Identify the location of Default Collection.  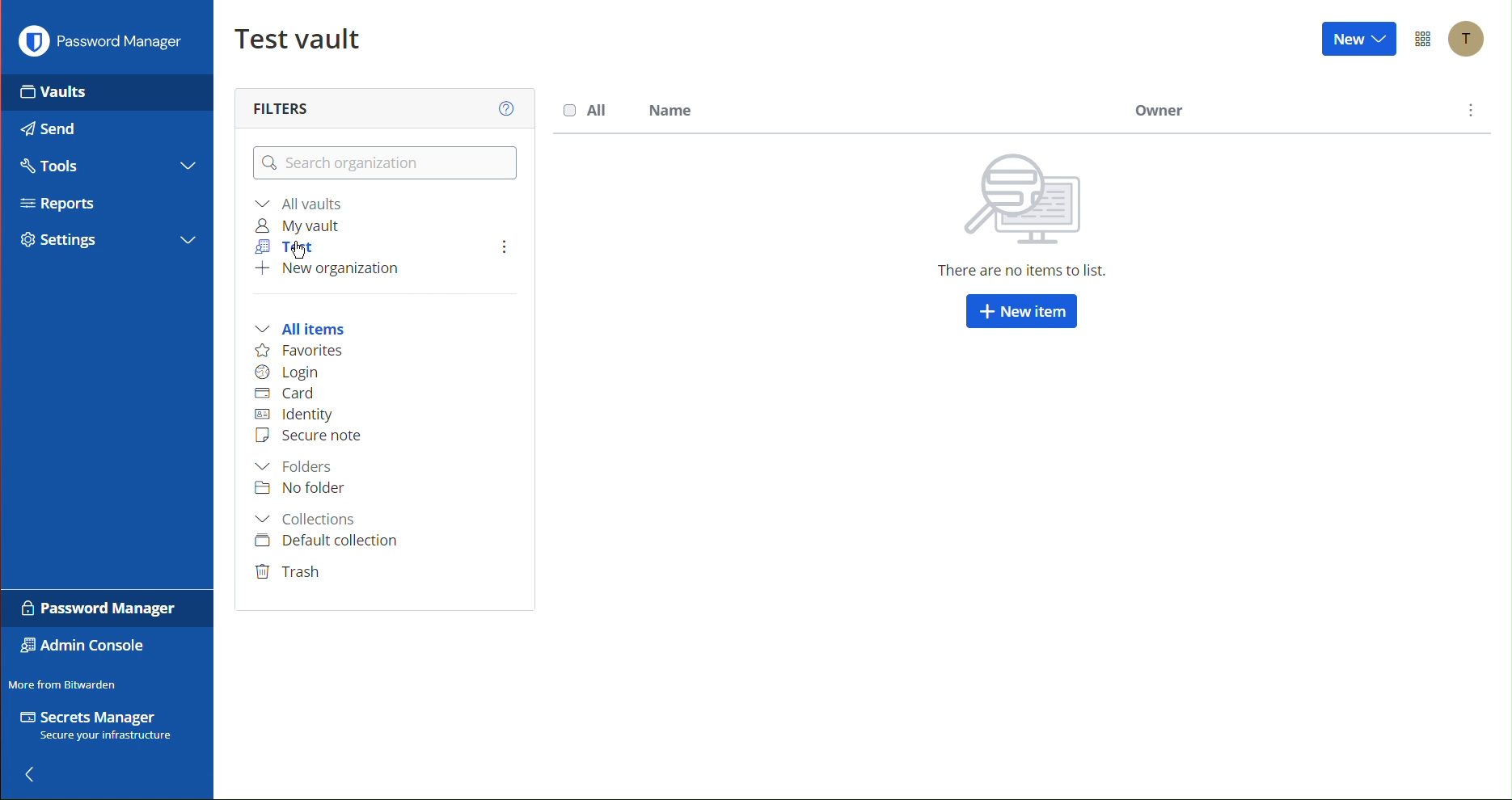
(327, 541).